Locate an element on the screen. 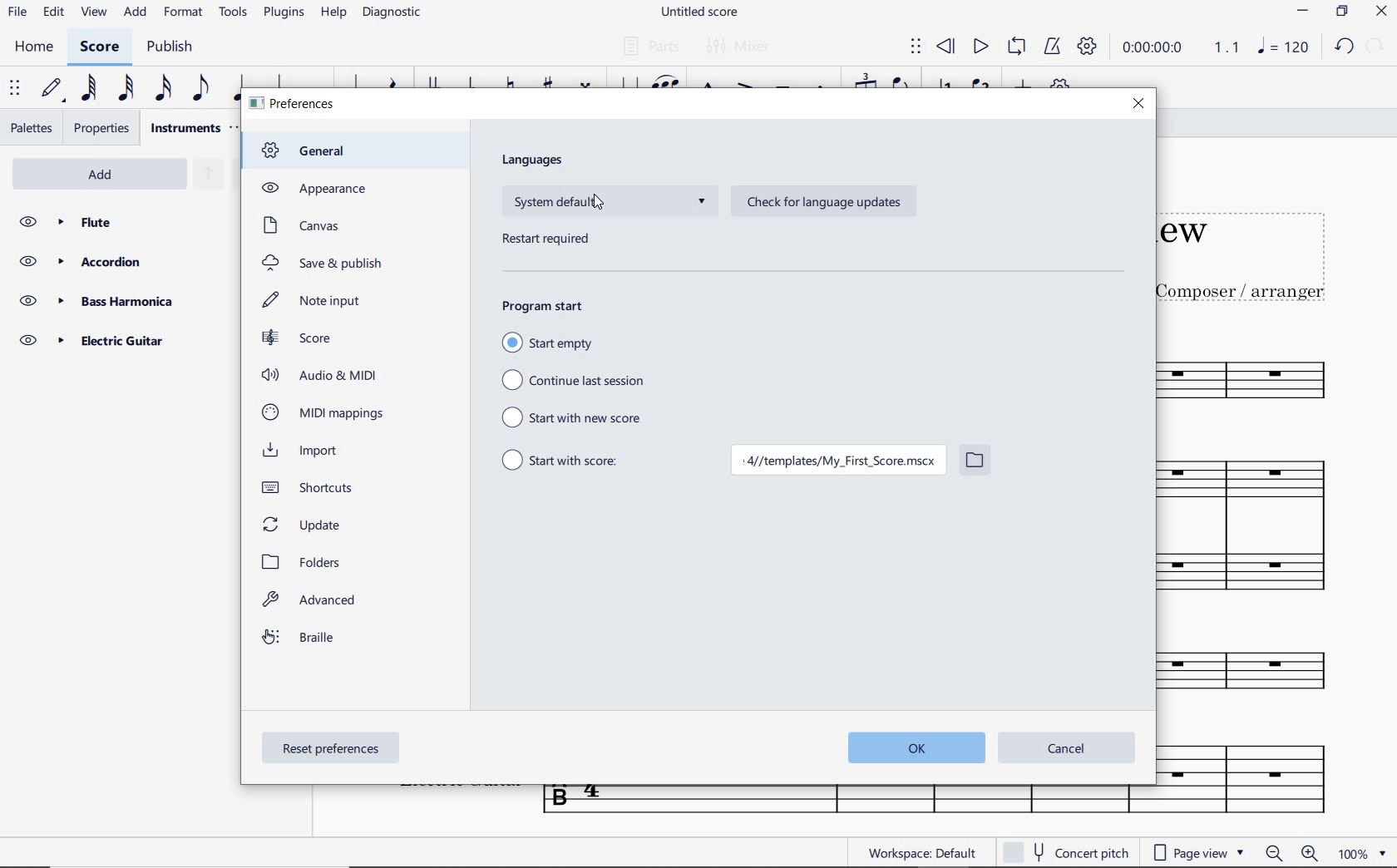 The height and width of the screenshot is (868, 1397). update is located at coordinates (304, 523).